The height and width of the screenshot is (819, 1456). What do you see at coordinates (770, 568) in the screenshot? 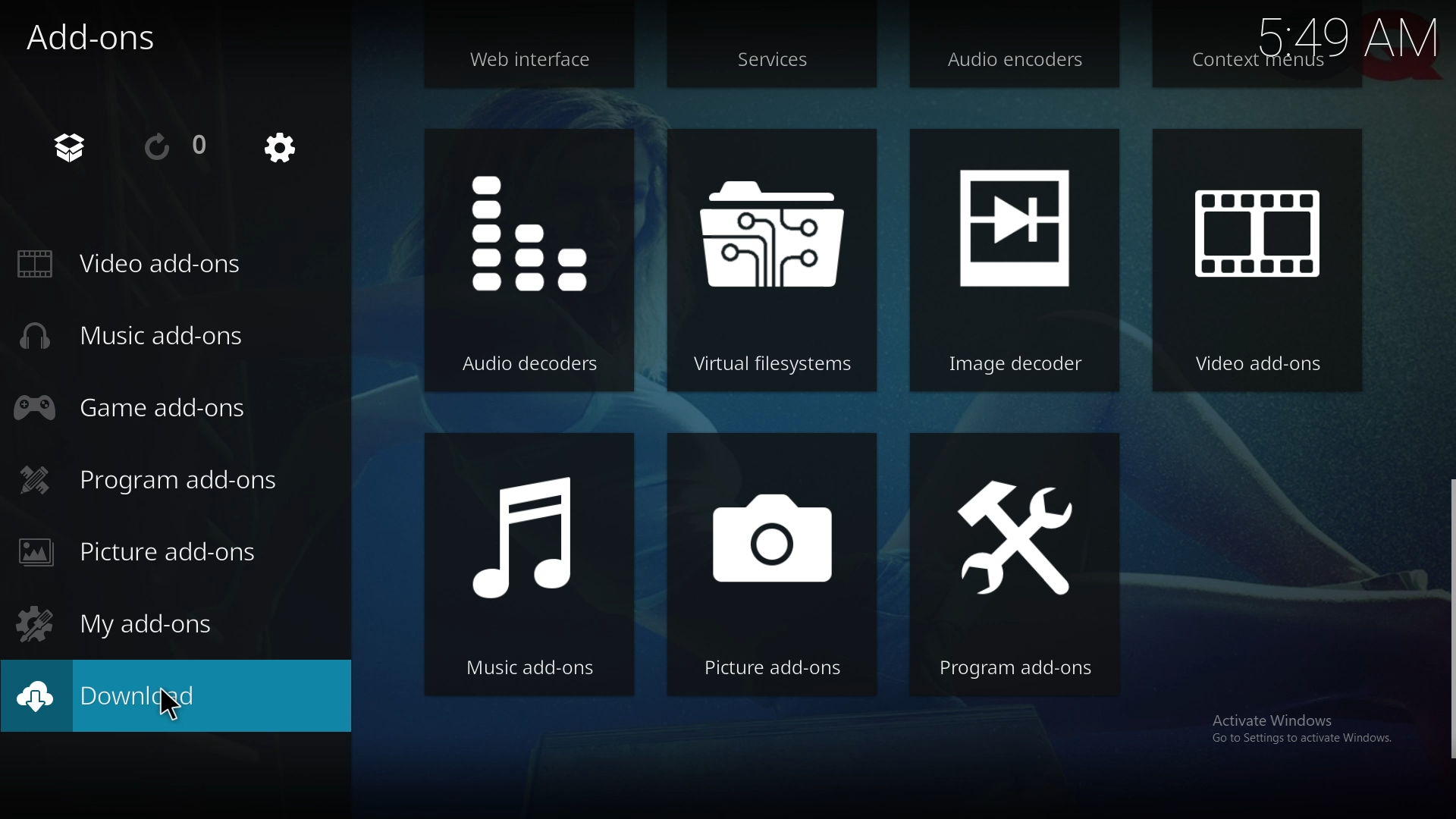
I see `picture add ons` at bounding box center [770, 568].